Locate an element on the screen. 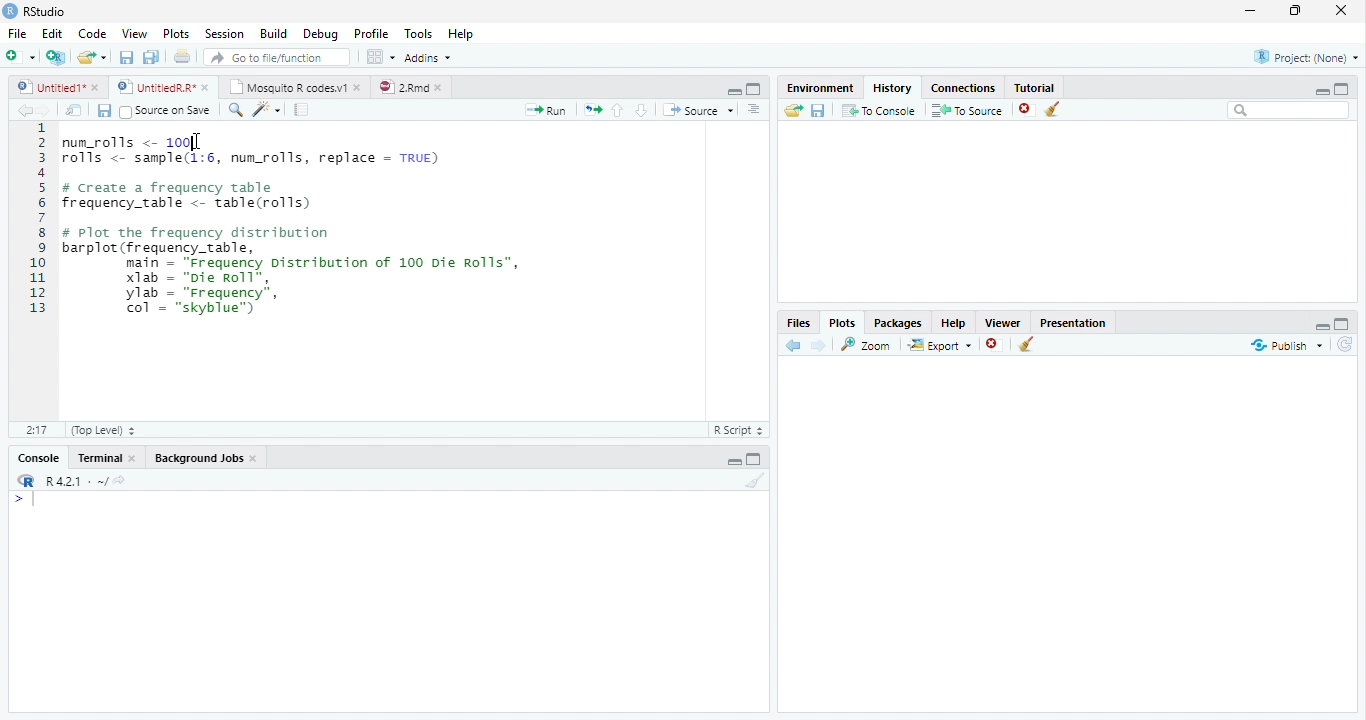  Expand Height is located at coordinates (755, 459).